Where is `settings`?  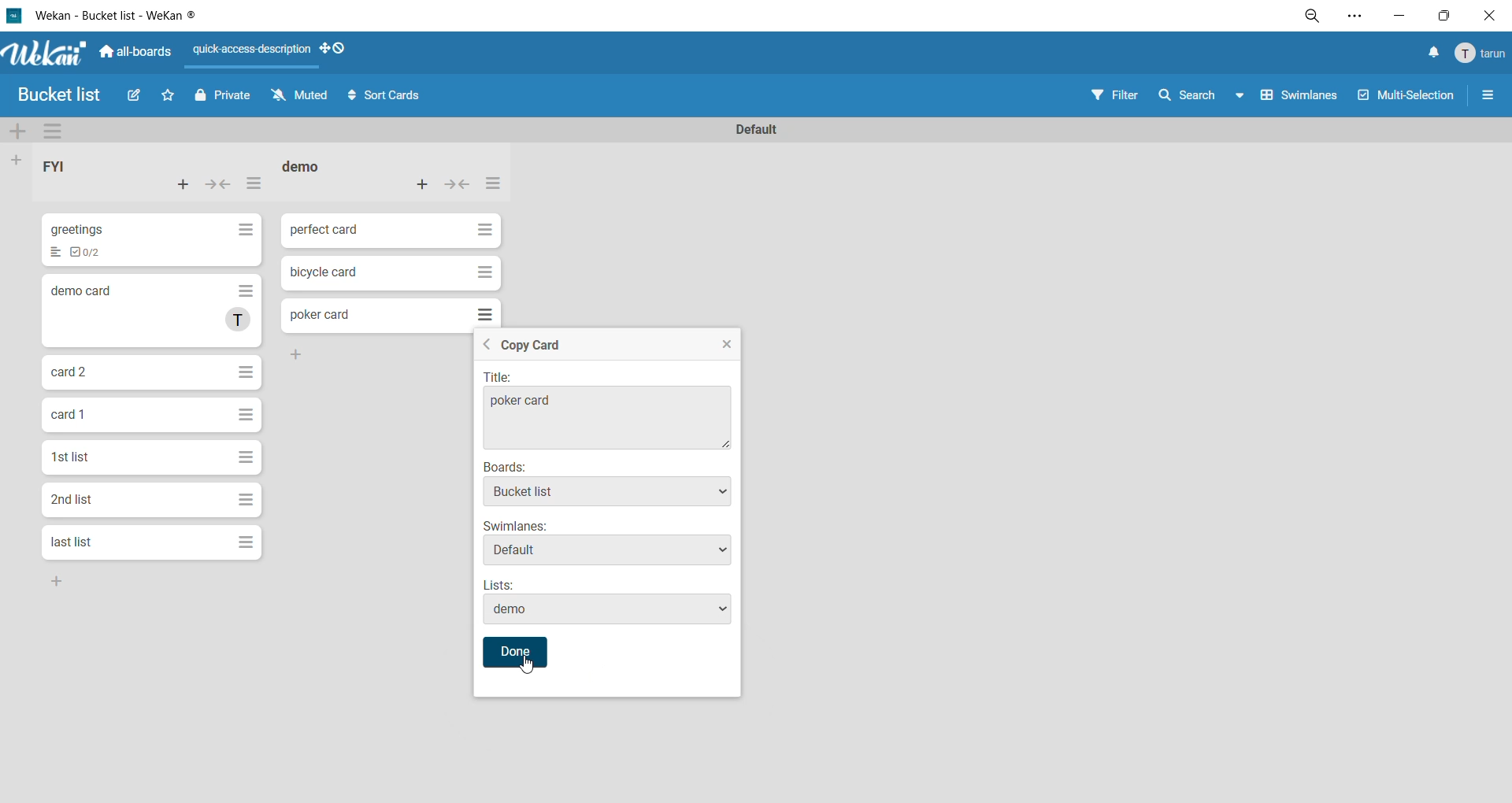
settings is located at coordinates (1354, 17).